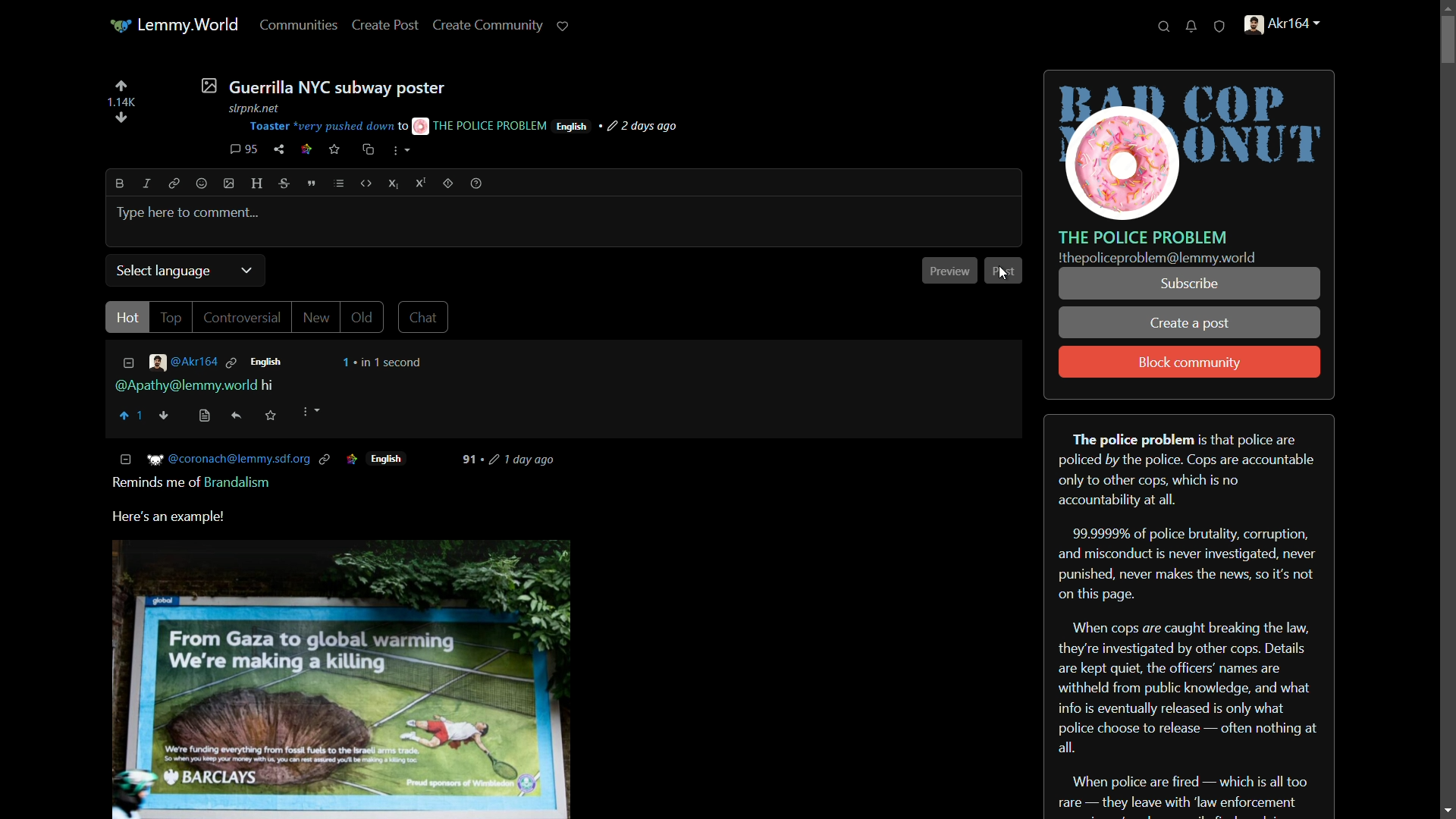  I want to click on spoiler, so click(447, 183).